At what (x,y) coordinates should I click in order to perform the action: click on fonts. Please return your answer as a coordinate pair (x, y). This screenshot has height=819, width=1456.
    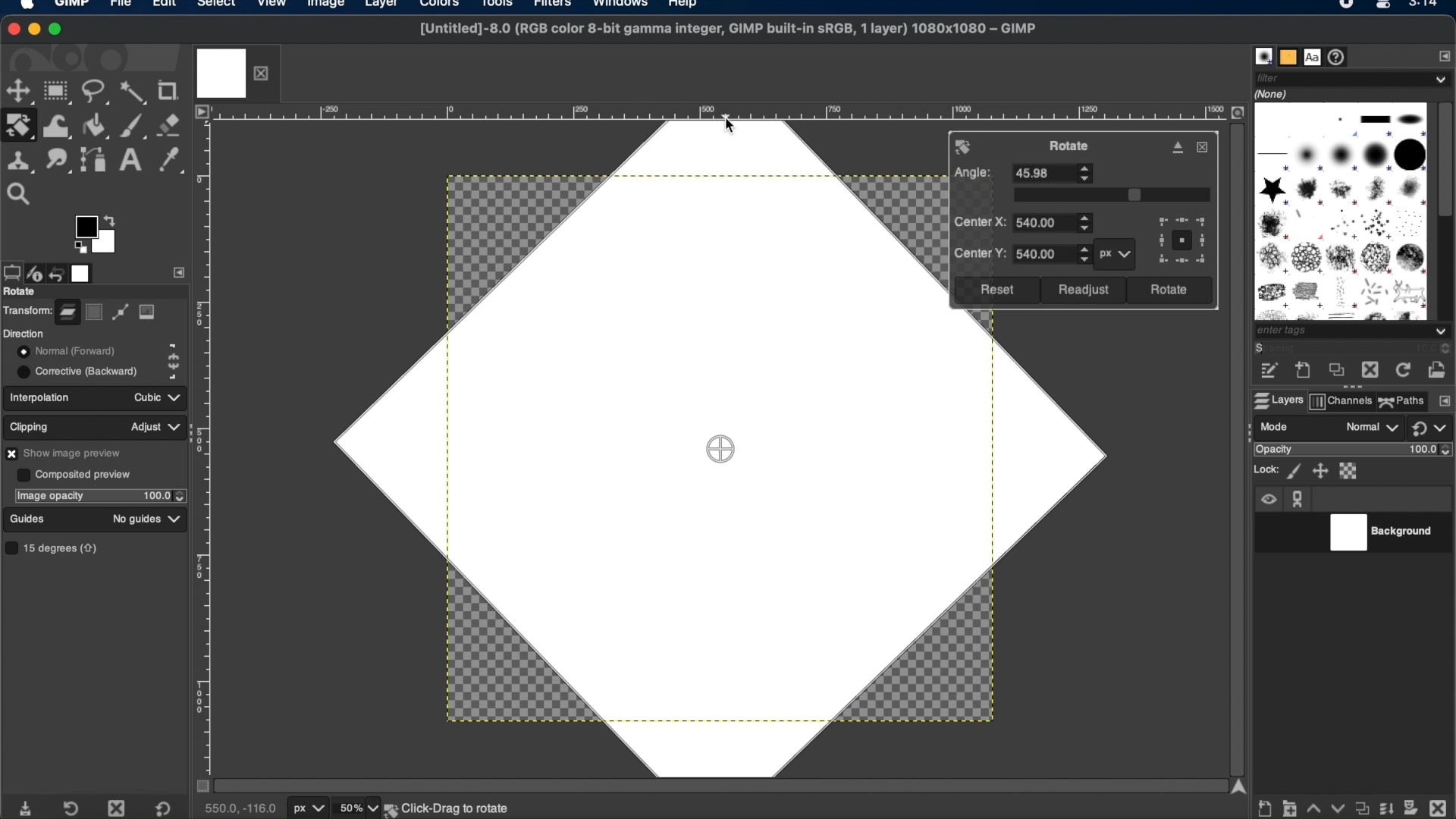
    Looking at the image, I should click on (1313, 56).